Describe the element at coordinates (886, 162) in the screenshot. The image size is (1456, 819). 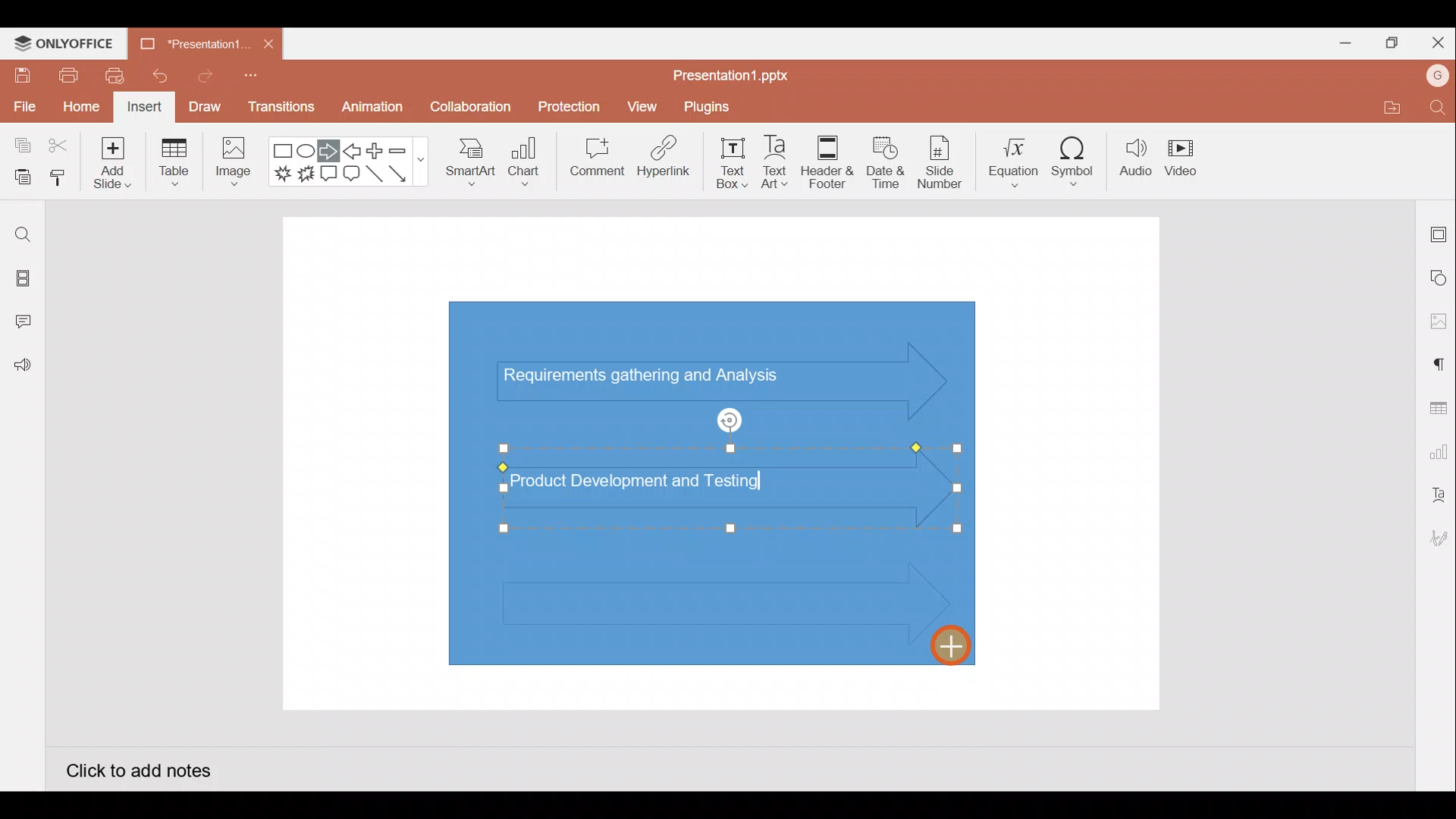
I see `Date & time` at that location.